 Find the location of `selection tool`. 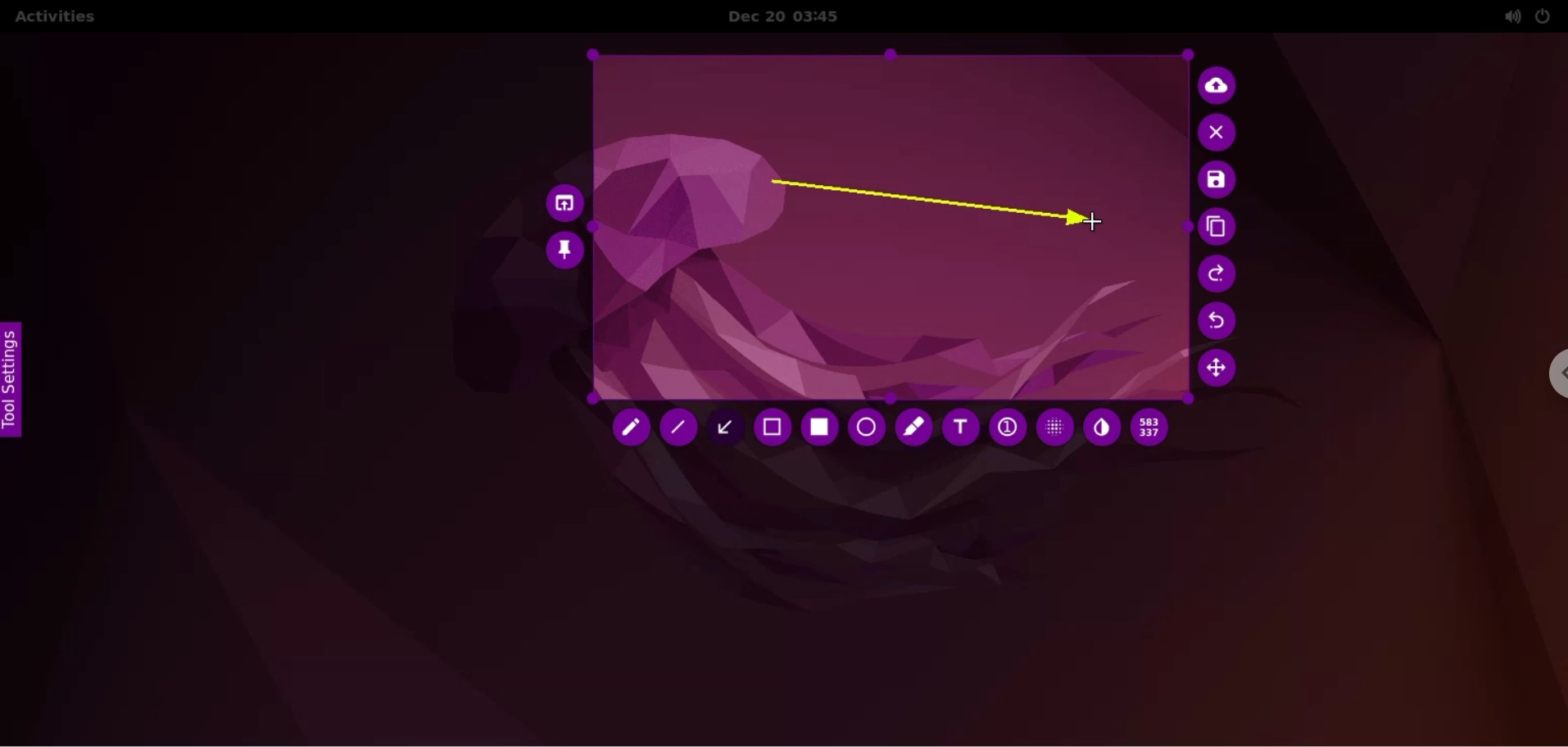

selection tool is located at coordinates (775, 430).